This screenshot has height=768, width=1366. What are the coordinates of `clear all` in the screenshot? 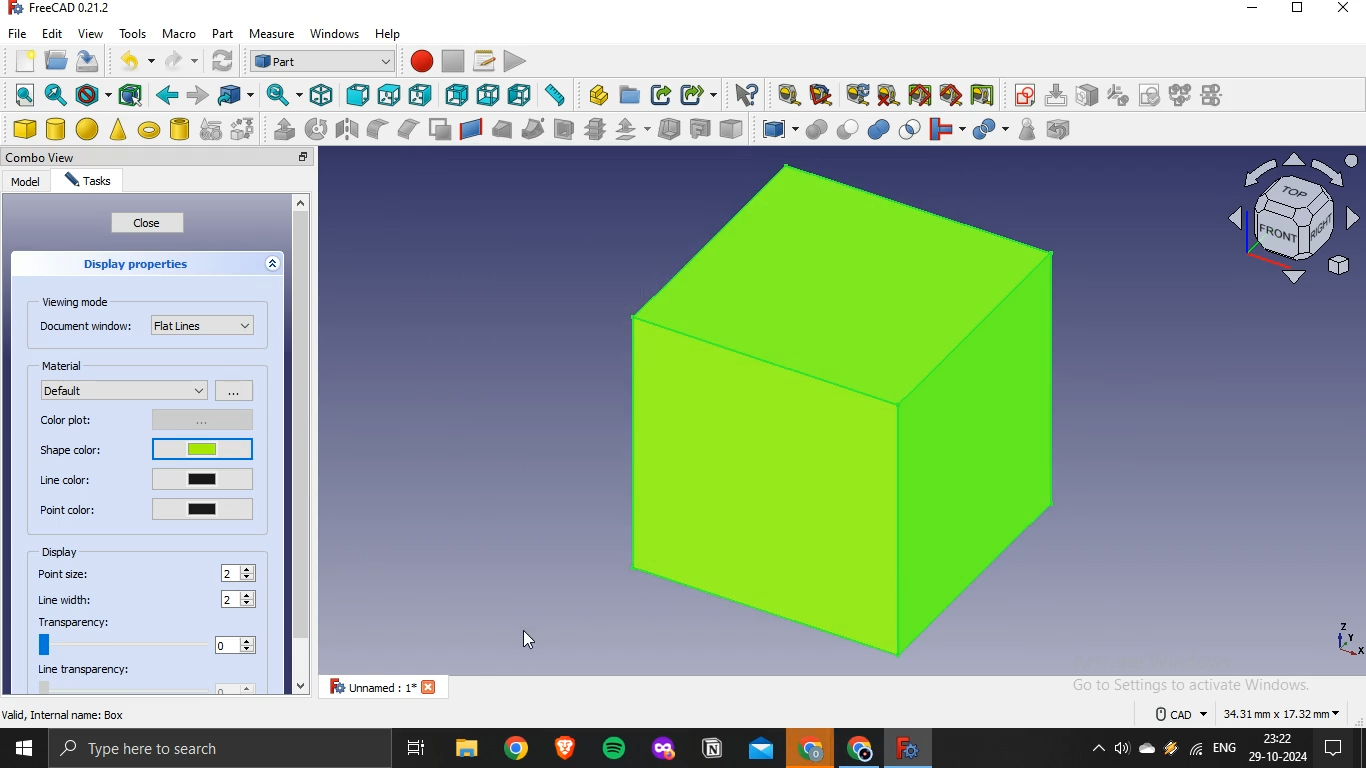 It's located at (888, 95).